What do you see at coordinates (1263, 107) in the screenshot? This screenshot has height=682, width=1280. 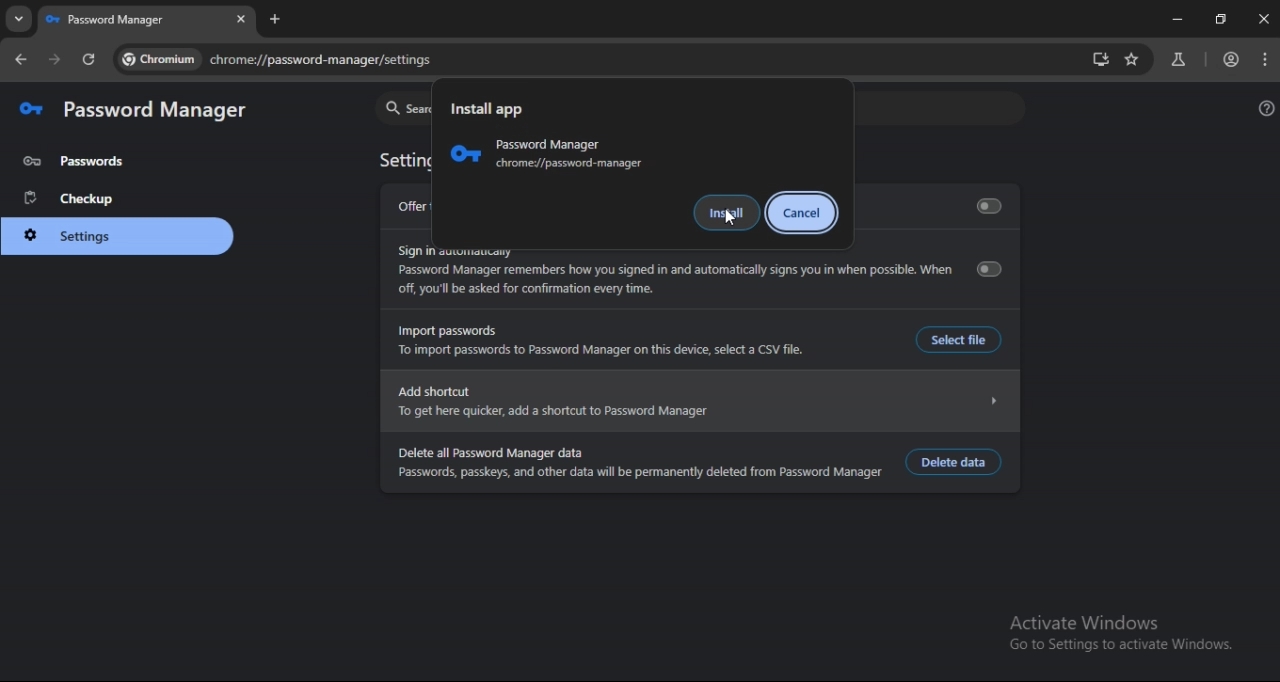 I see `get help` at bounding box center [1263, 107].